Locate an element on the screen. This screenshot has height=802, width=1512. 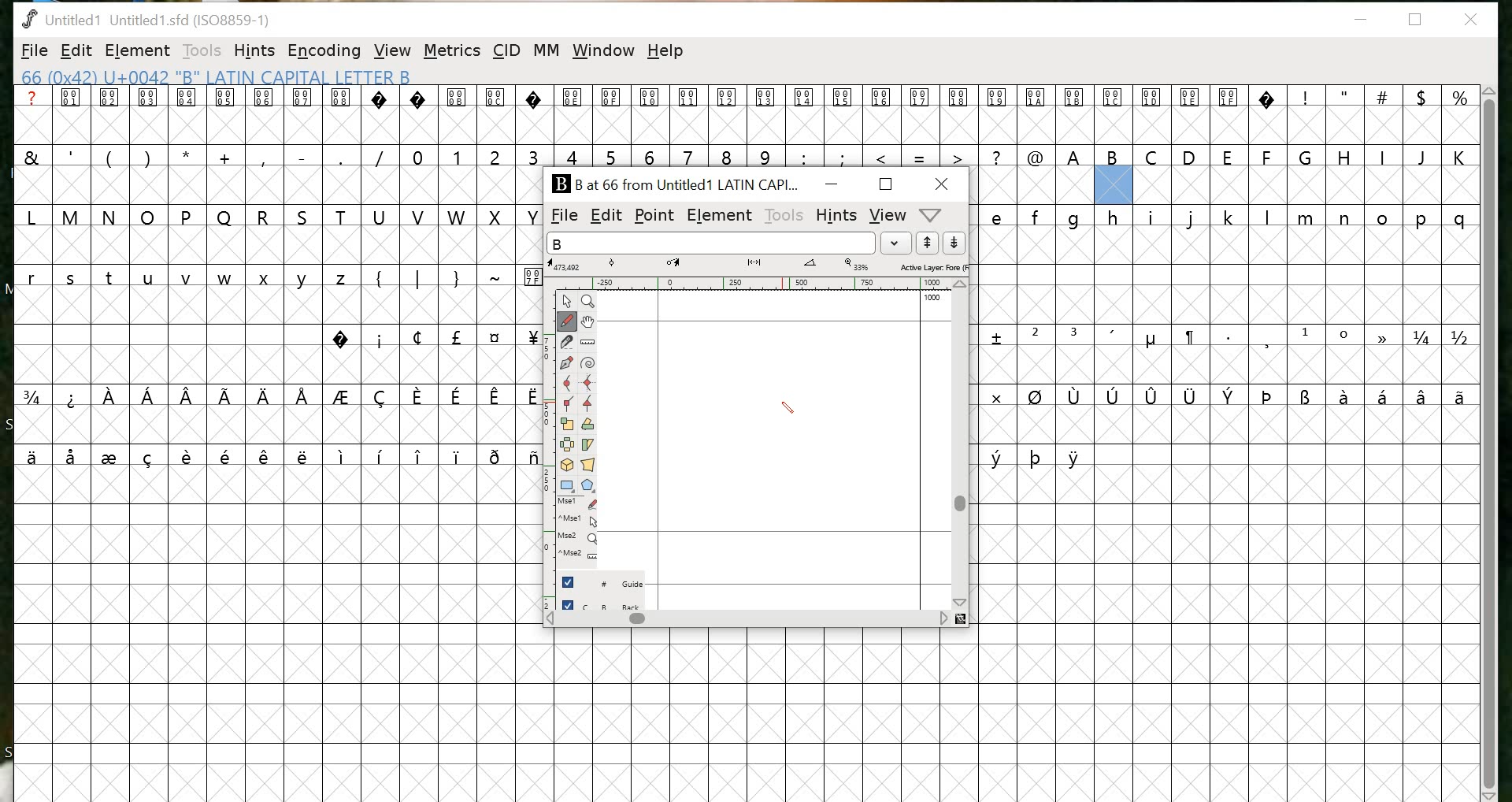
Zoom is located at coordinates (589, 302).